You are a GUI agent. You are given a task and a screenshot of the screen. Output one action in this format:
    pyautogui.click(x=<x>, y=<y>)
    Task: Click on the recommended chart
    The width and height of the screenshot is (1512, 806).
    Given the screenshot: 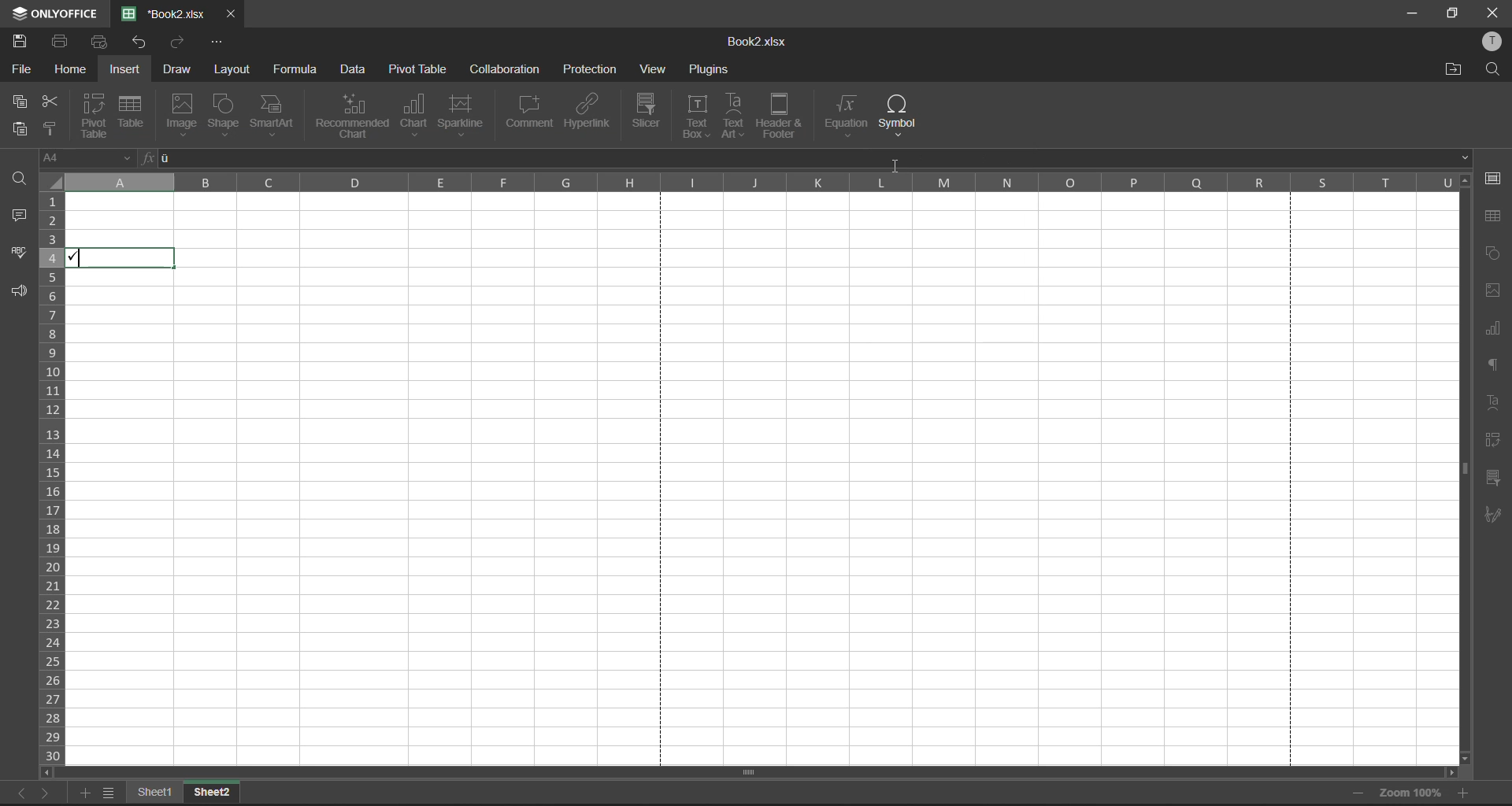 What is the action you would take?
    pyautogui.click(x=351, y=116)
    